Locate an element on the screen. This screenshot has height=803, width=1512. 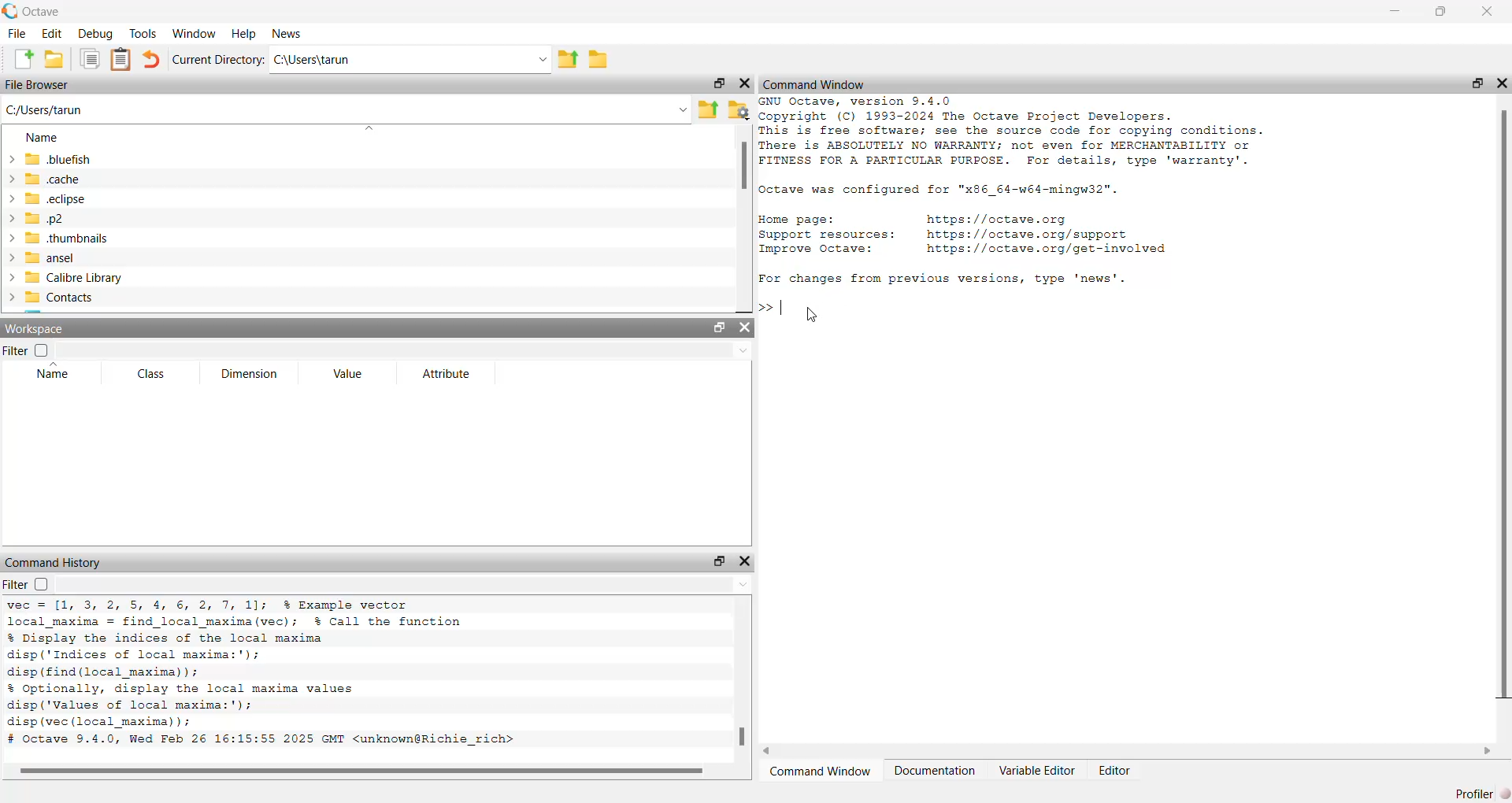
Undo is located at coordinates (153, 59).